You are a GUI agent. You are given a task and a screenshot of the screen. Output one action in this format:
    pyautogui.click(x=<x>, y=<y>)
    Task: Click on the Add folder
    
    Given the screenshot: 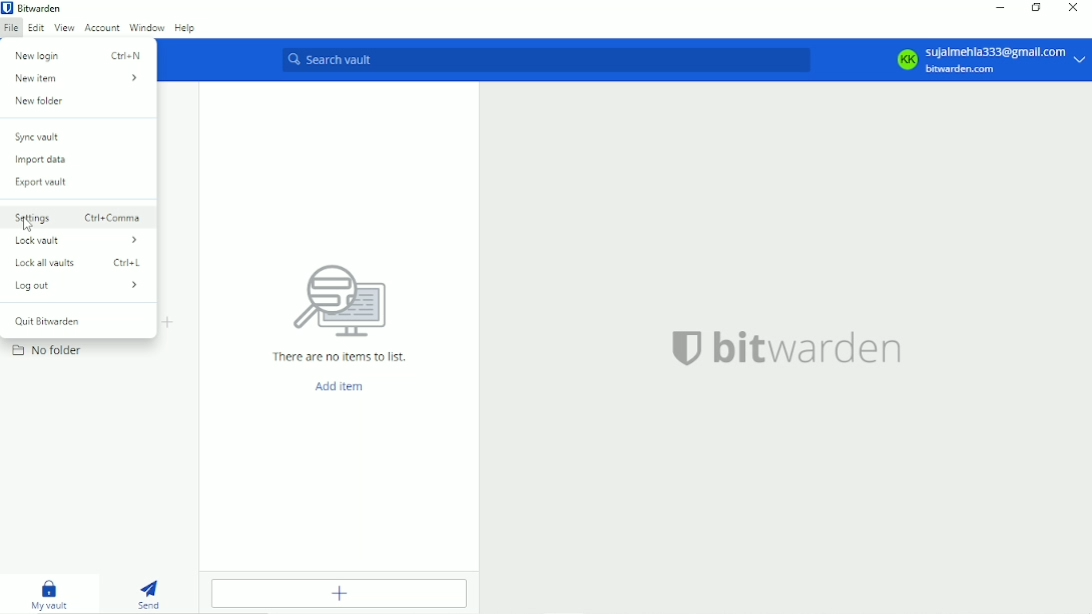 What is the action you would take?
    pyautogui.click(x=167, y=322)
    